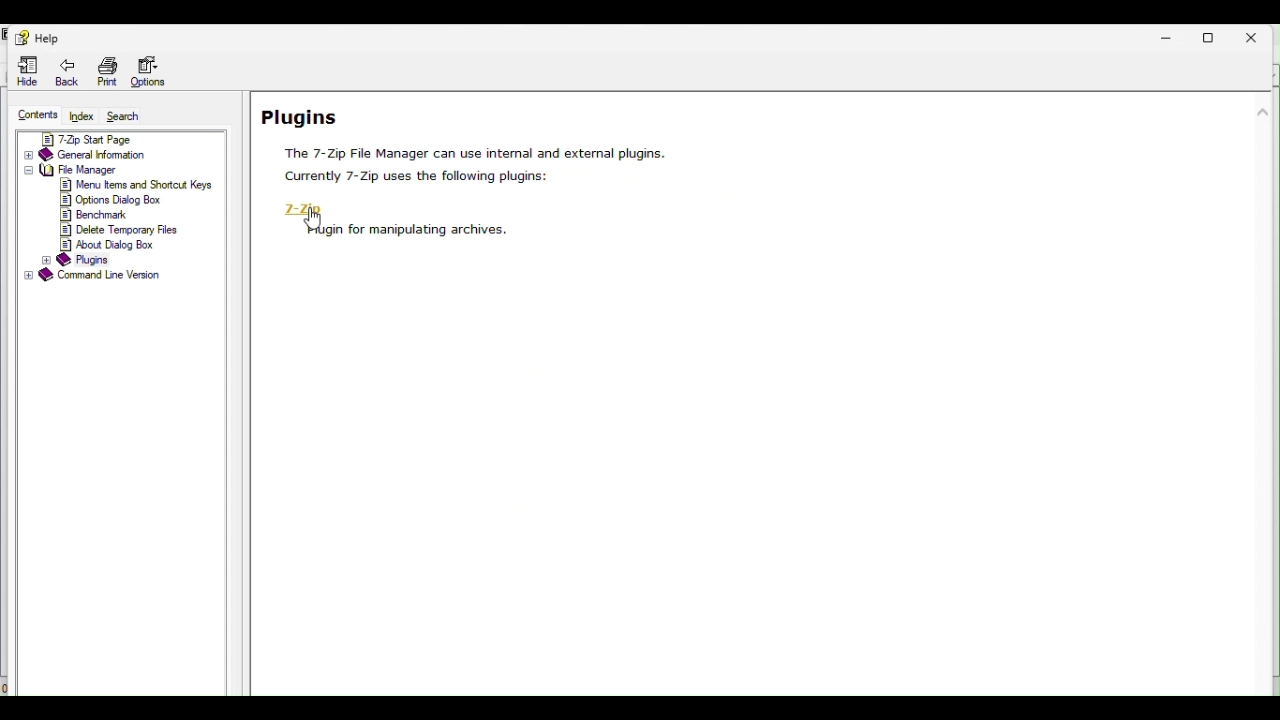  What do you see at coordinates (131, 200) in the screenshot?
I see `options dialog box` at bounding box center [131, 200].